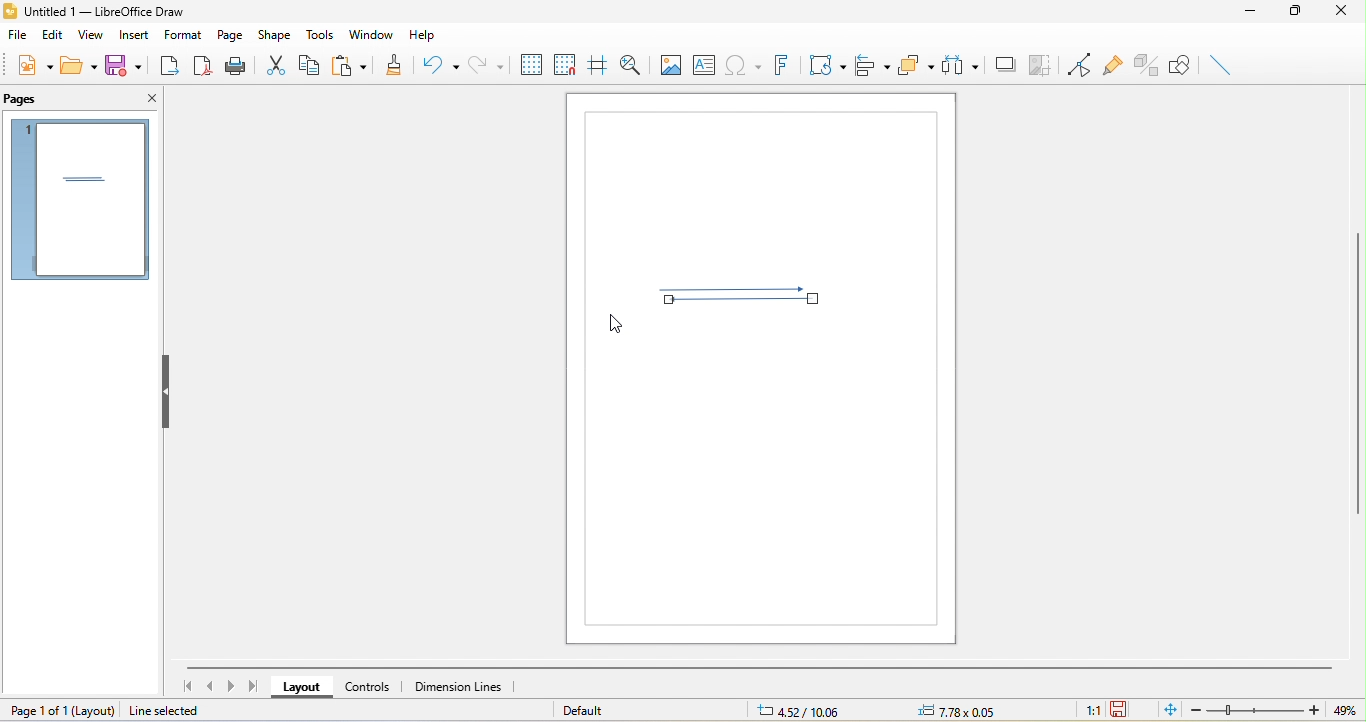 The width and height of the screenshot is (1366, 722). Describe the element at coordinates (1165, 711) in the screenshot. I see `fit to the current window` at that location.